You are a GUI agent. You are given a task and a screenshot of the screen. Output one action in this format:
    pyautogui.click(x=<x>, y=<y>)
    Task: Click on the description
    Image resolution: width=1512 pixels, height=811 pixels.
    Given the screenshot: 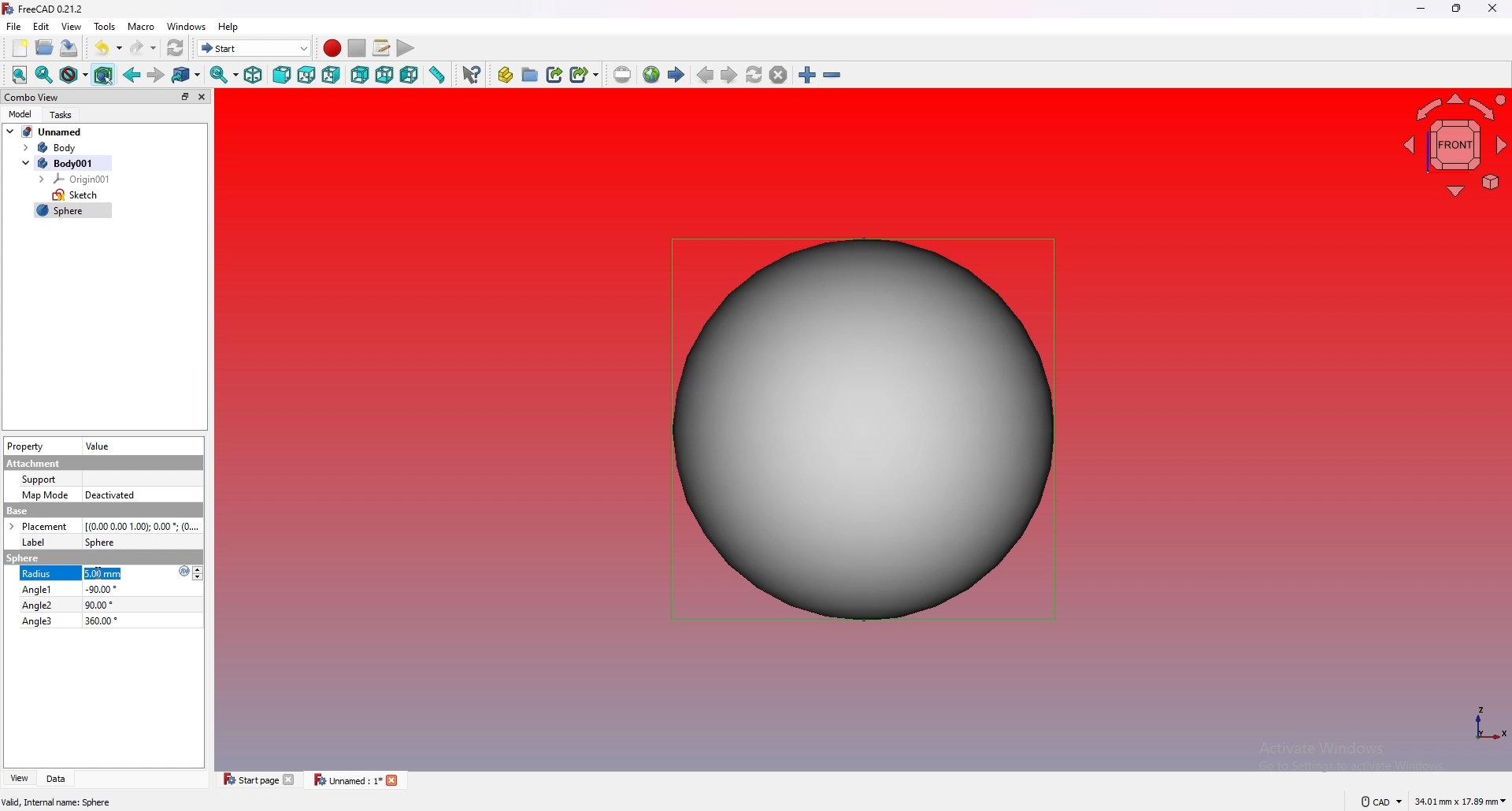 What is the action you would take?
    pyautogui.click(x=57, y=803)
    